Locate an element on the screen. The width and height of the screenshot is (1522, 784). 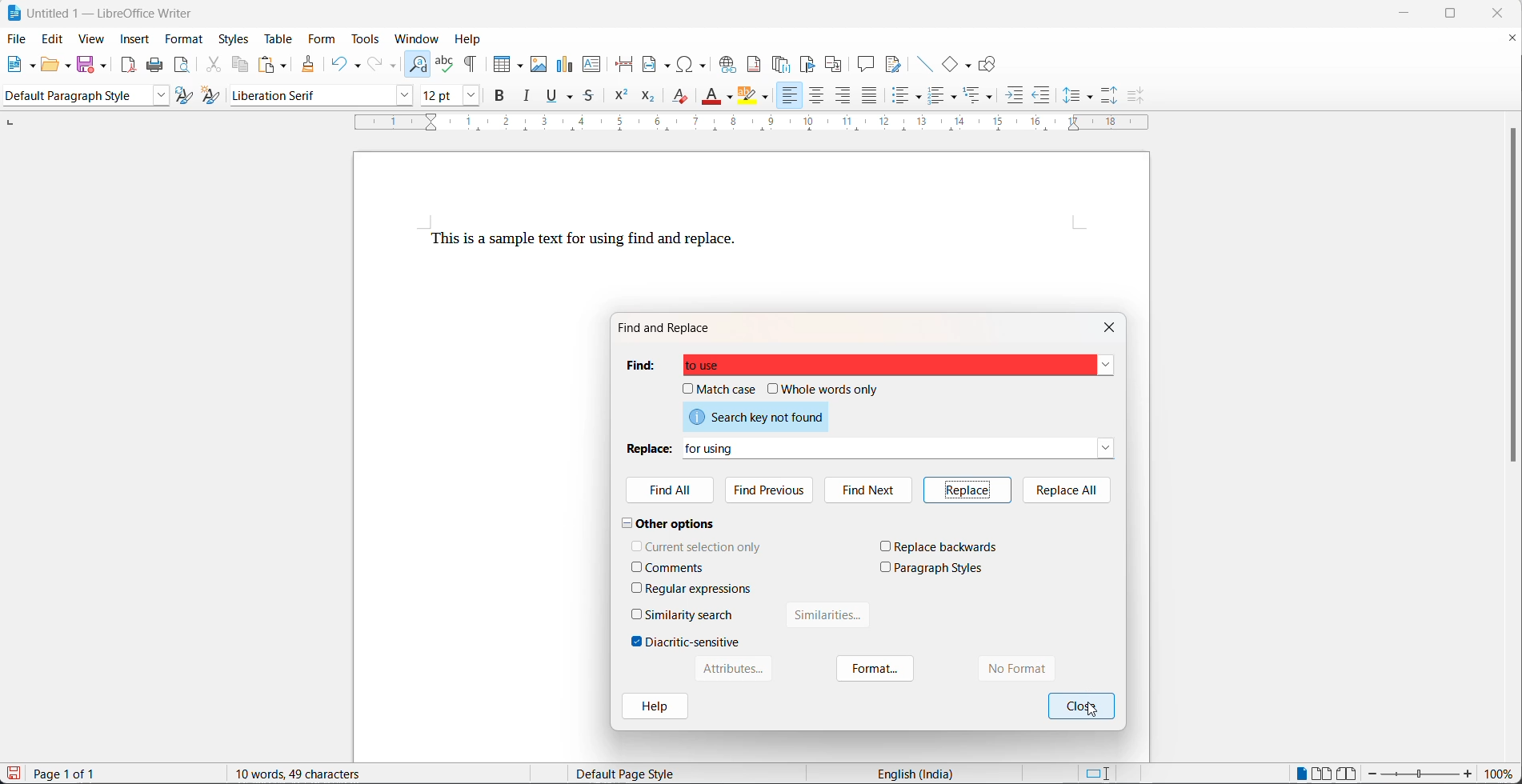
undo options is located at coordinates (356, 64).